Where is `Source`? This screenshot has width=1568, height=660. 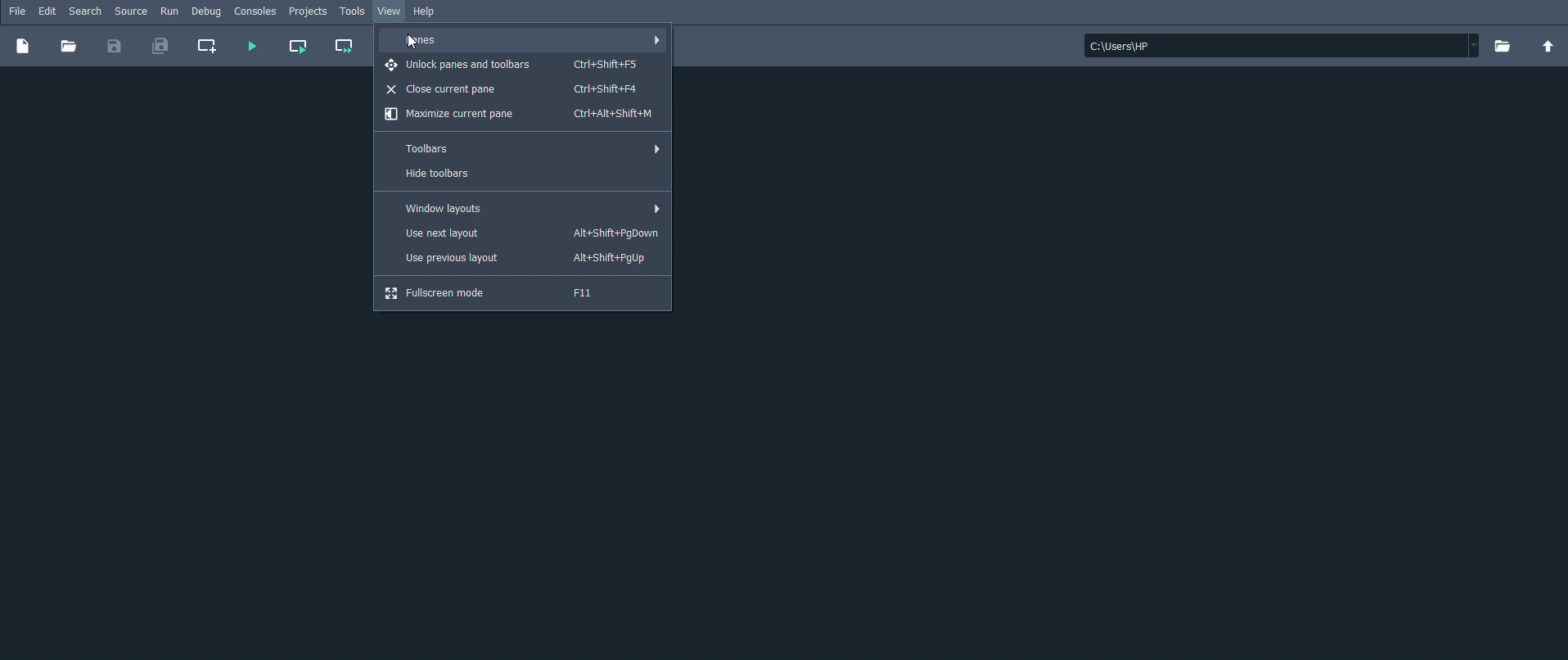
Source is located at coordinates (131, 11).